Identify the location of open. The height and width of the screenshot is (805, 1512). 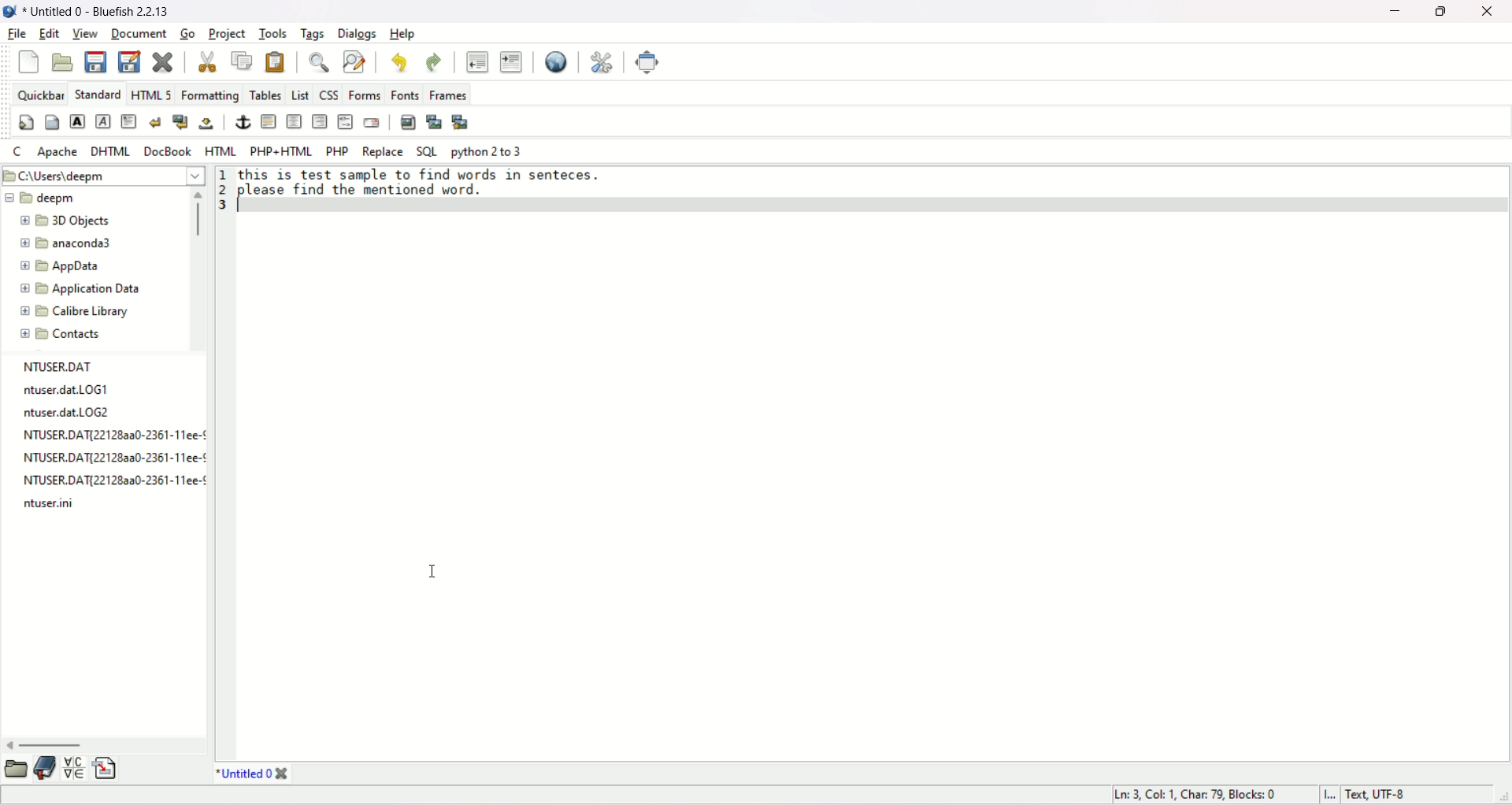
(62, 62).